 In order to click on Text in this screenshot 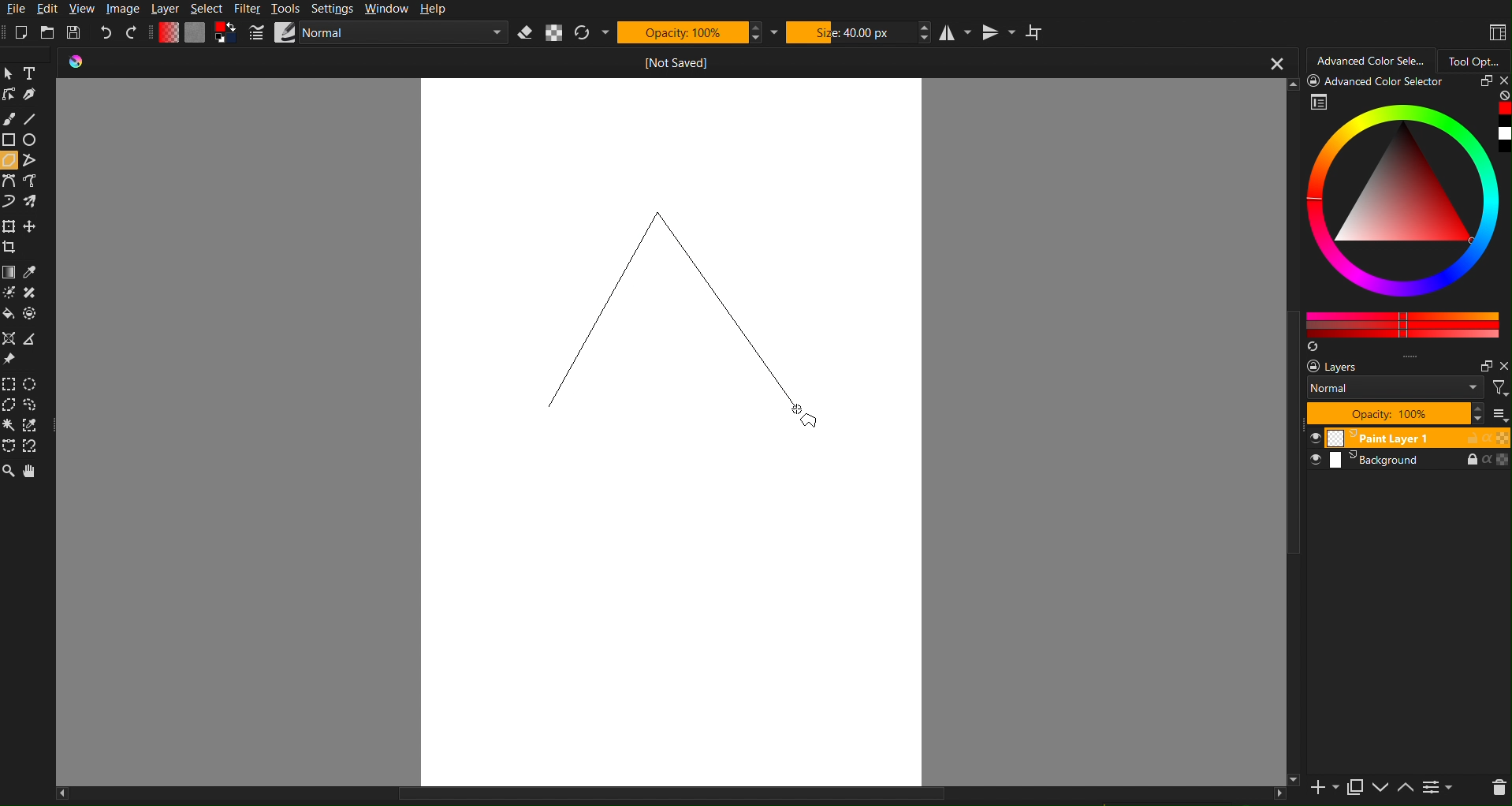, I will do `click(32, 73)`.